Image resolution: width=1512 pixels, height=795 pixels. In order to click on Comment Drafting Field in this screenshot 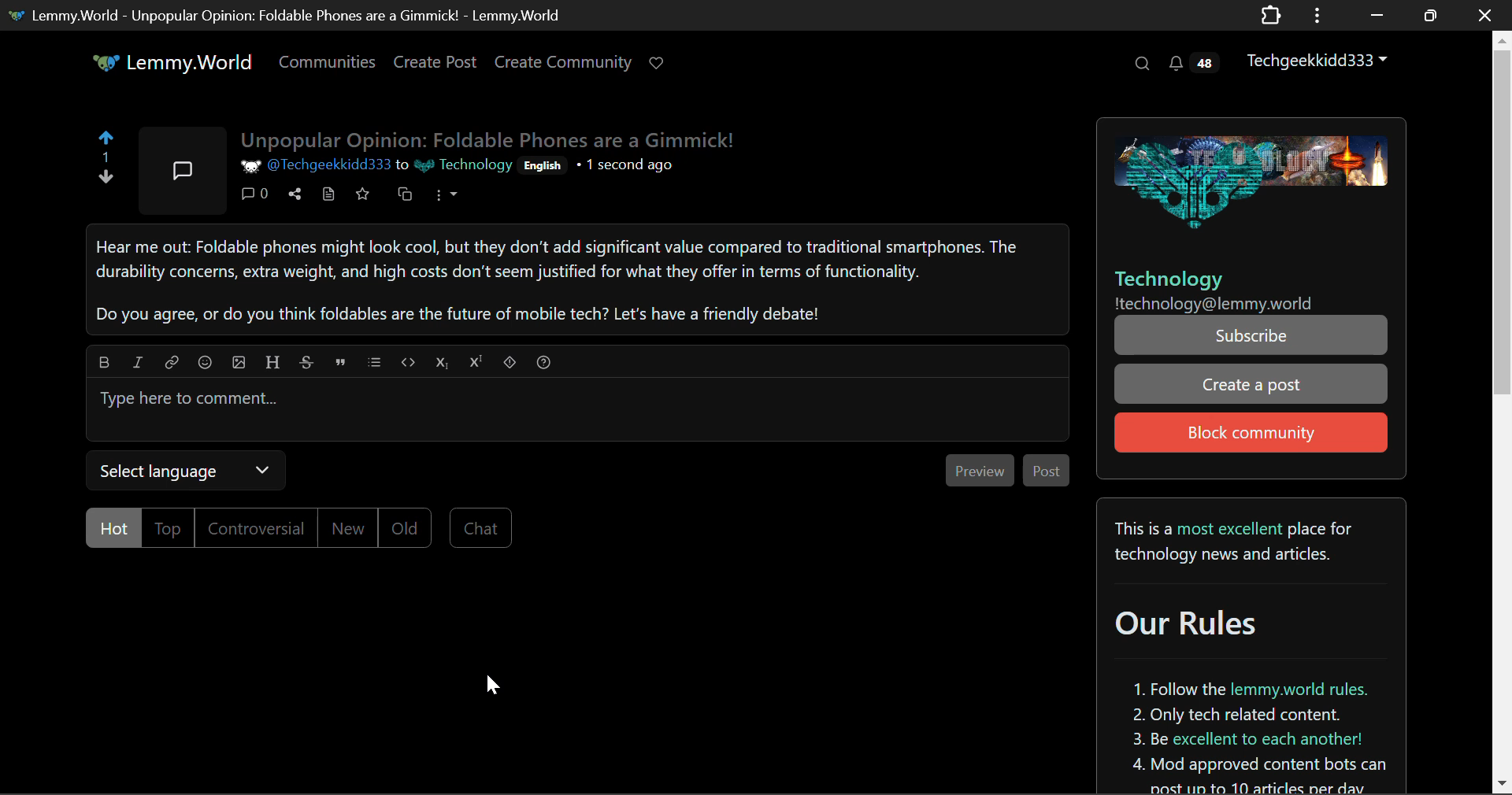, I will do `click(576, 407)`.